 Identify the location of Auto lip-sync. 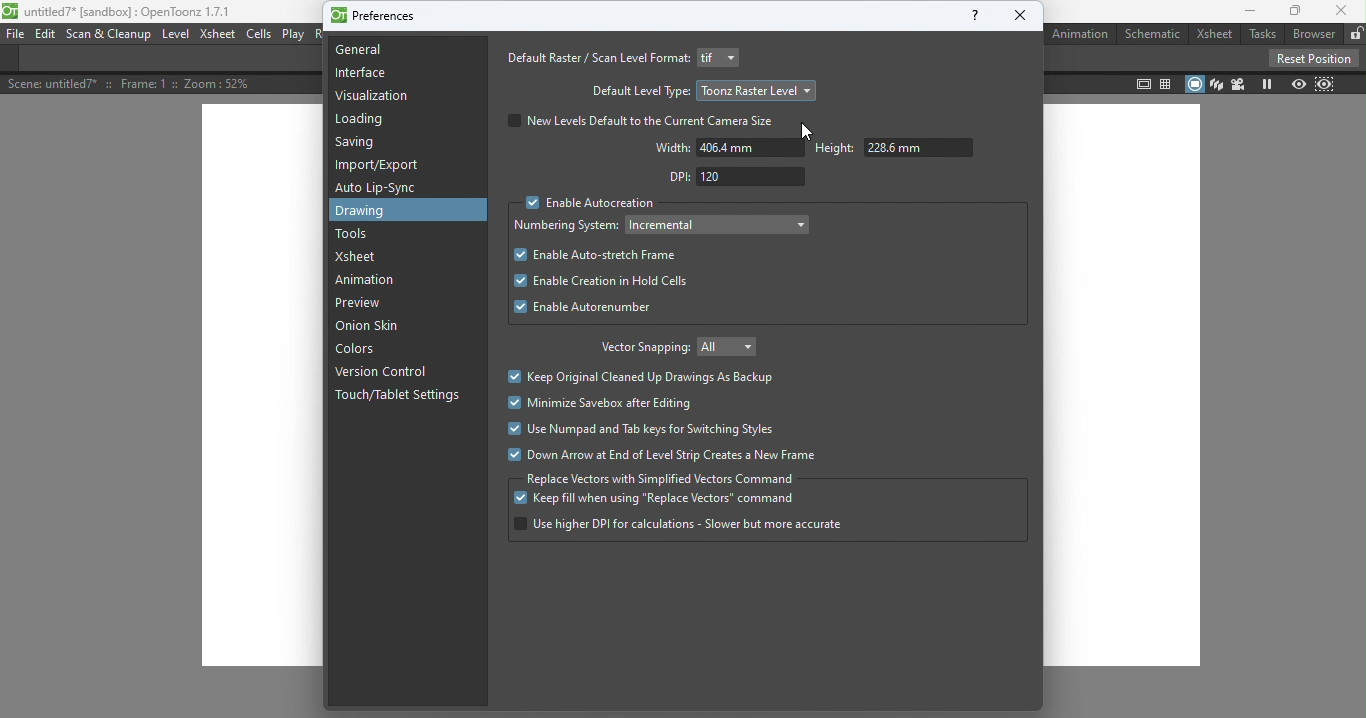
(380, 188).